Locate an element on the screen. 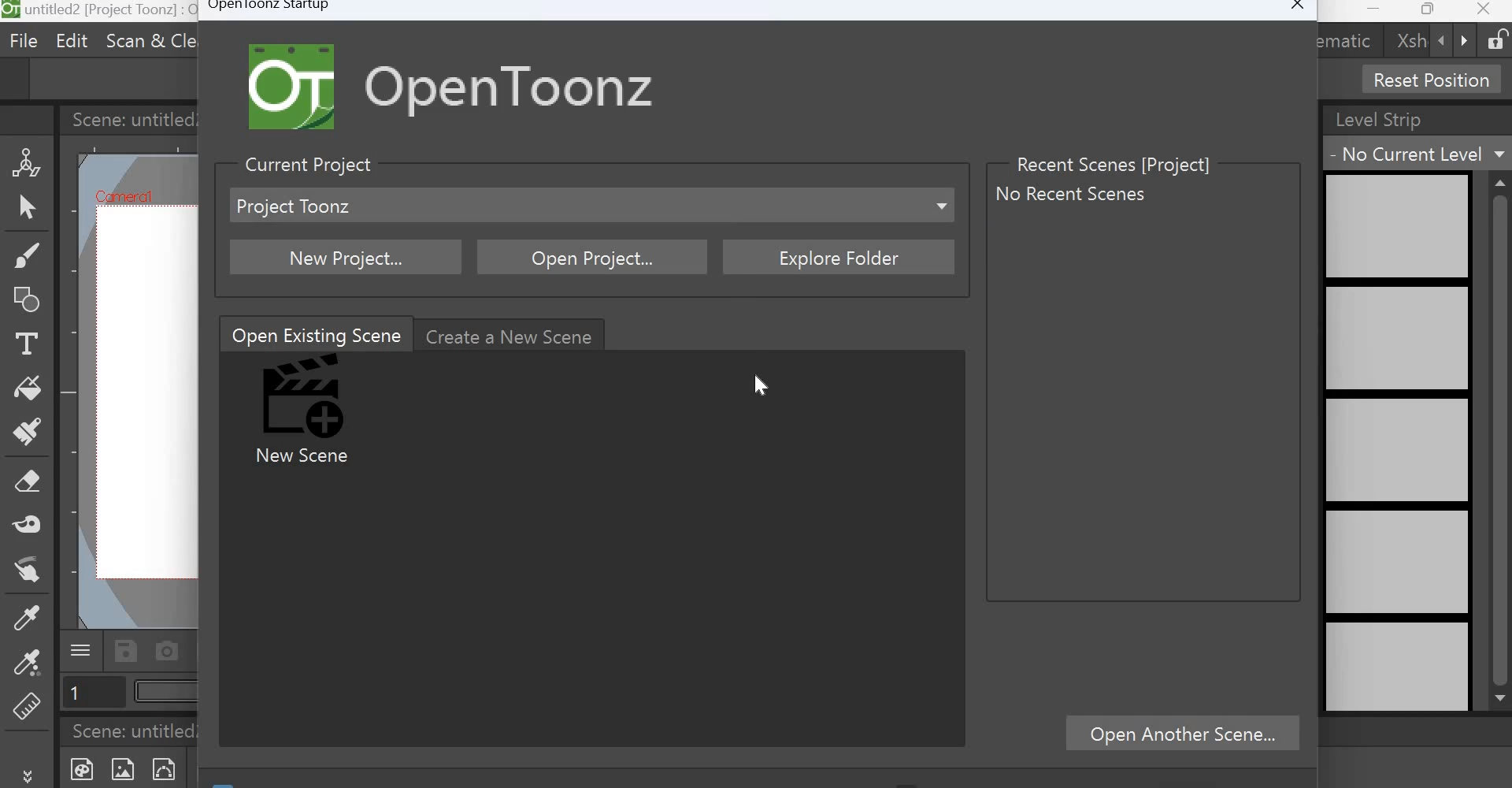 This screenshot has width=1512, height=788. Scene: untitled2 is located at coordinates (129, 118).